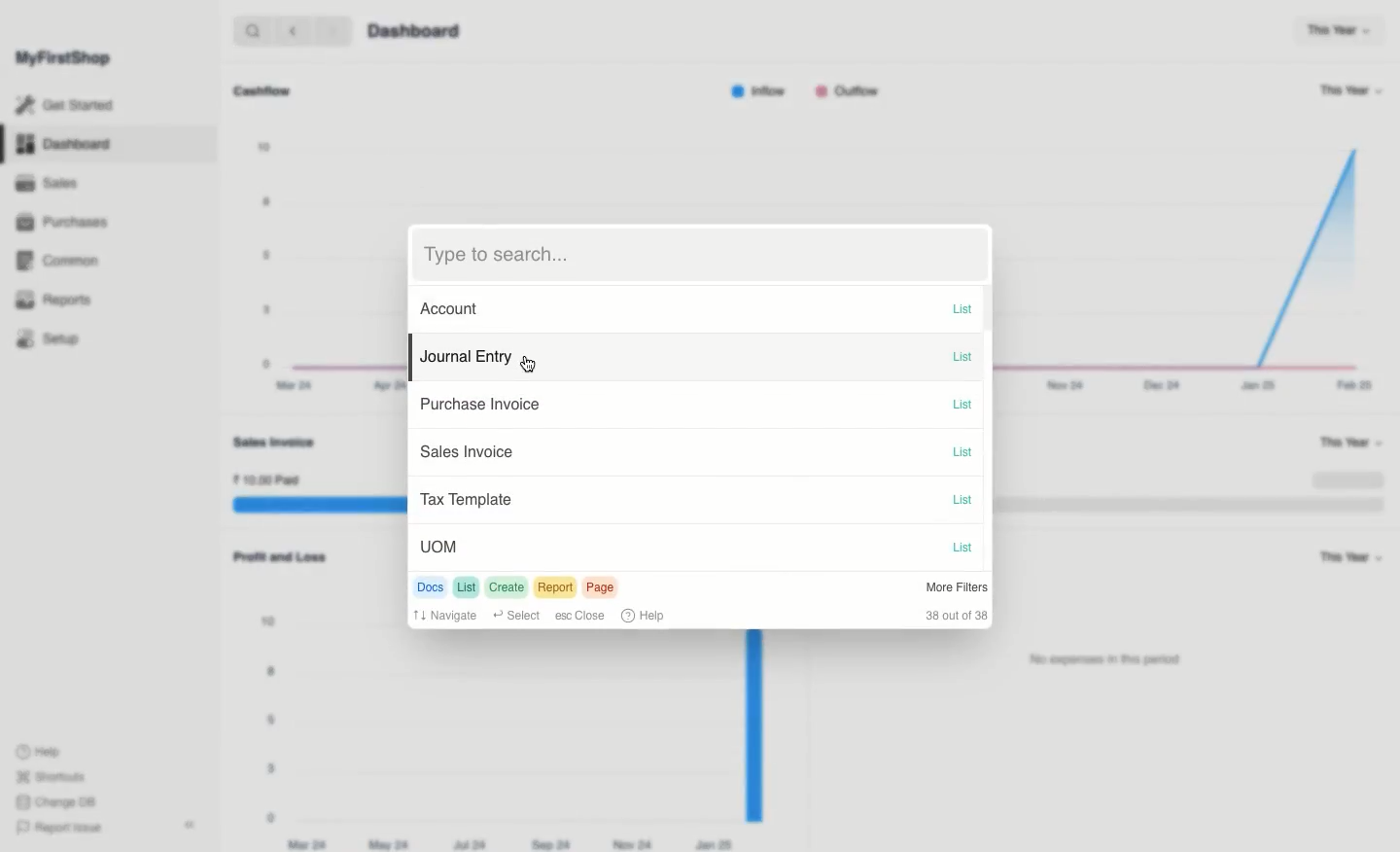  I want to click on Common, so click(56, 261).